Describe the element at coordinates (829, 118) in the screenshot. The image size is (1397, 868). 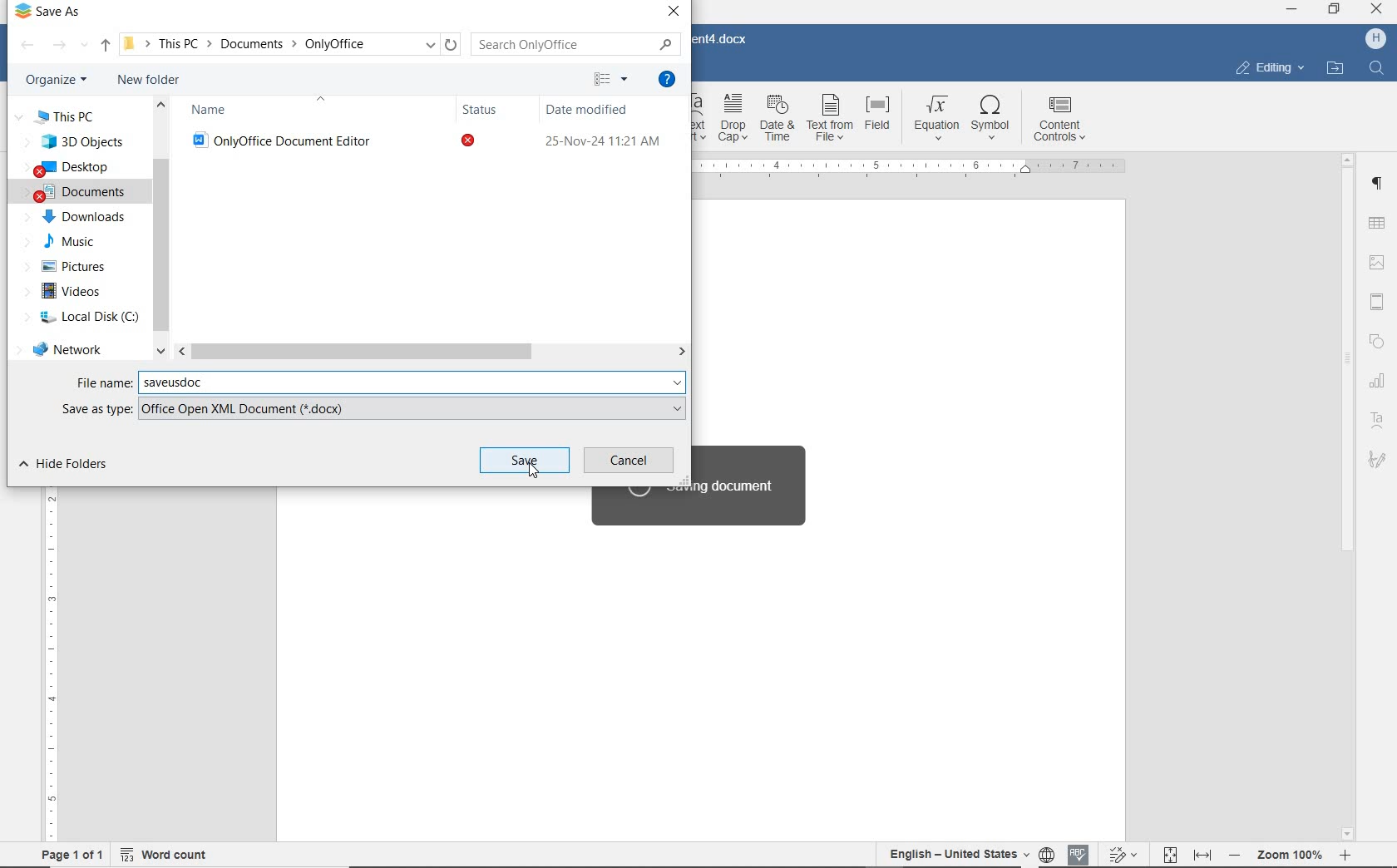
I see `text from file` at that location.